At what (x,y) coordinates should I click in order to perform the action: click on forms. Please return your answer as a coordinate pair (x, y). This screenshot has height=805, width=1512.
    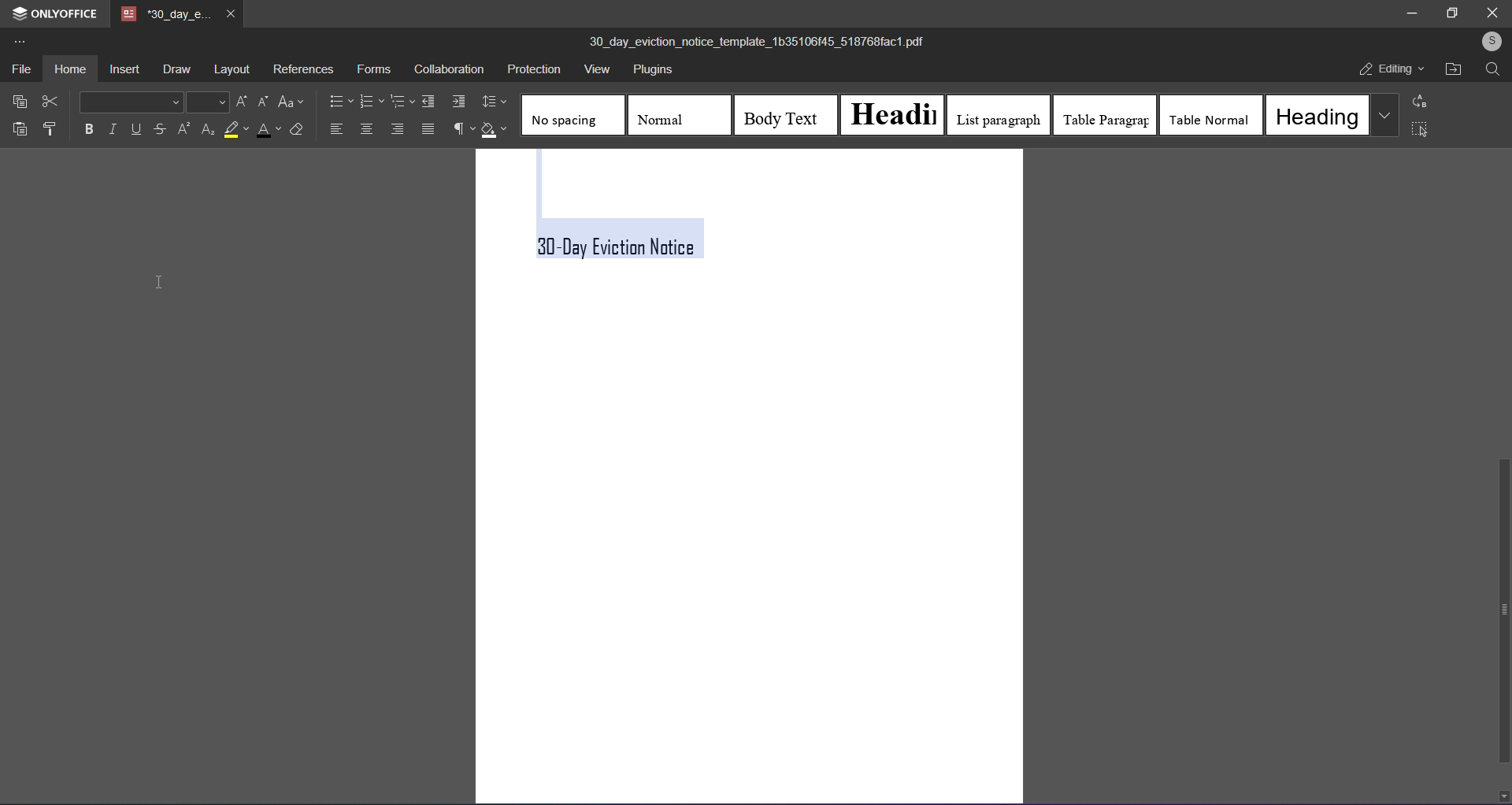
    Looking at the image, I should click on (372, 69).